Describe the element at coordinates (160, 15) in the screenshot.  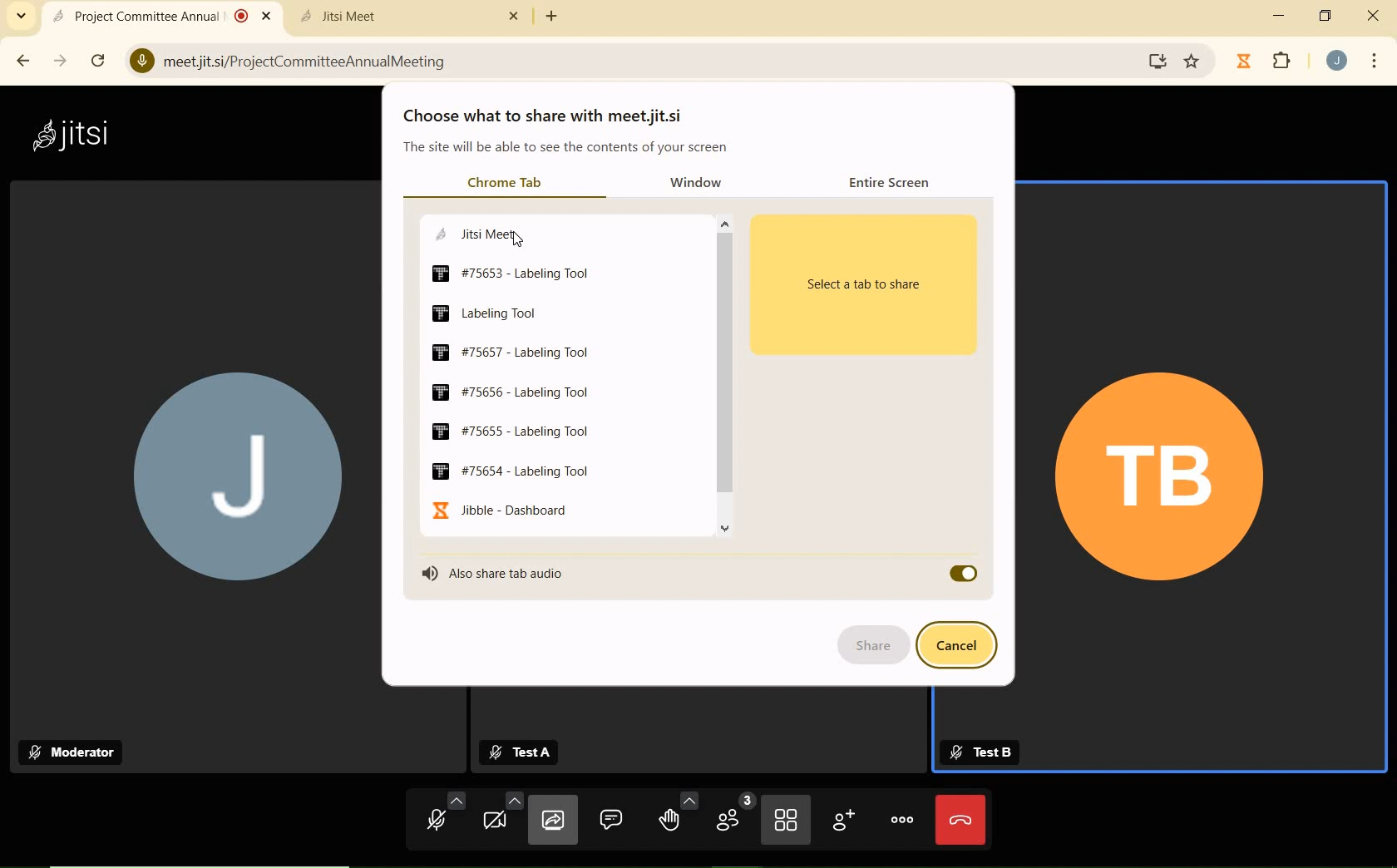
I see `Project Committee Annual` at that location.